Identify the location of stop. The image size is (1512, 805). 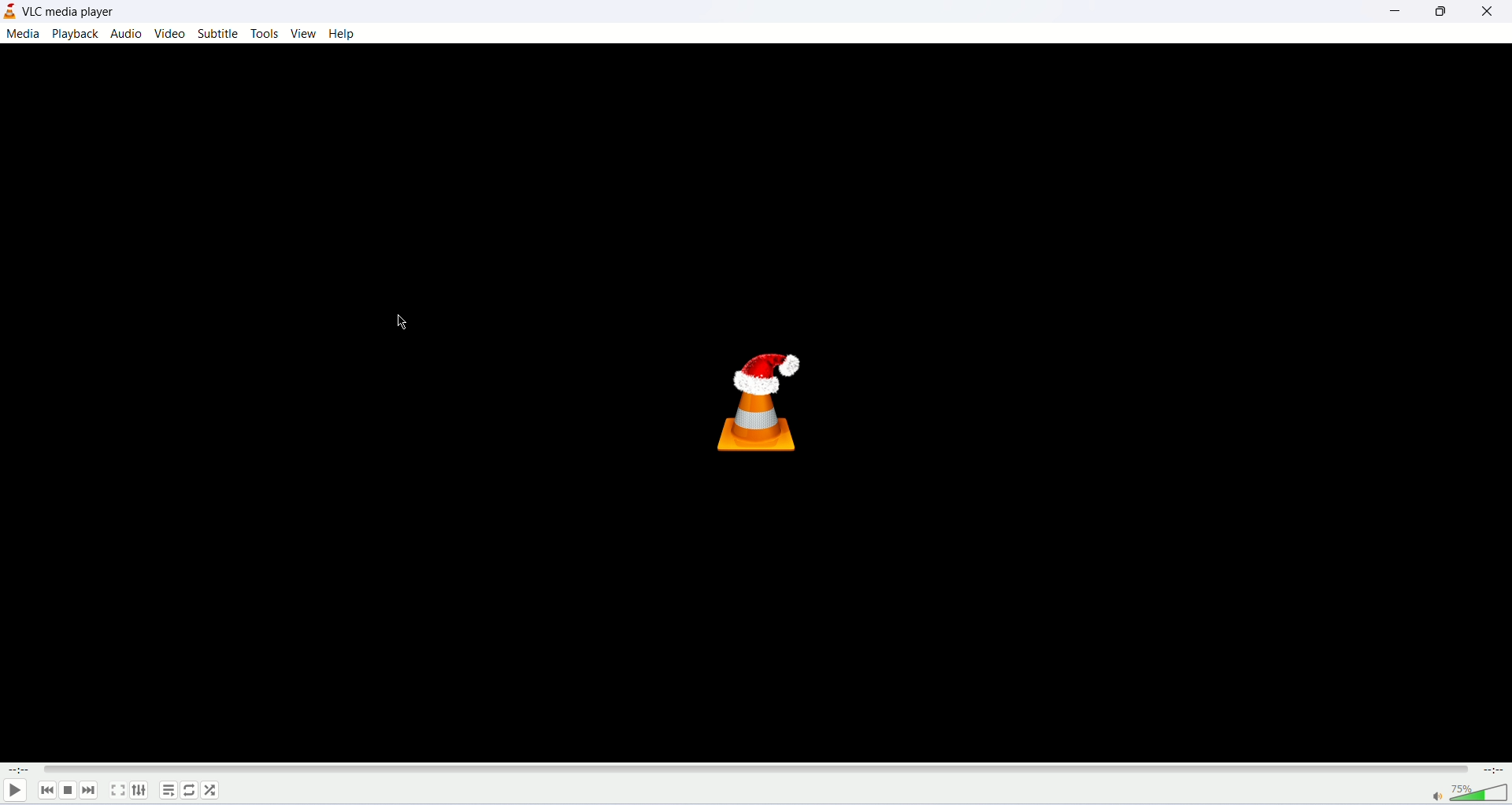
(68, 791).